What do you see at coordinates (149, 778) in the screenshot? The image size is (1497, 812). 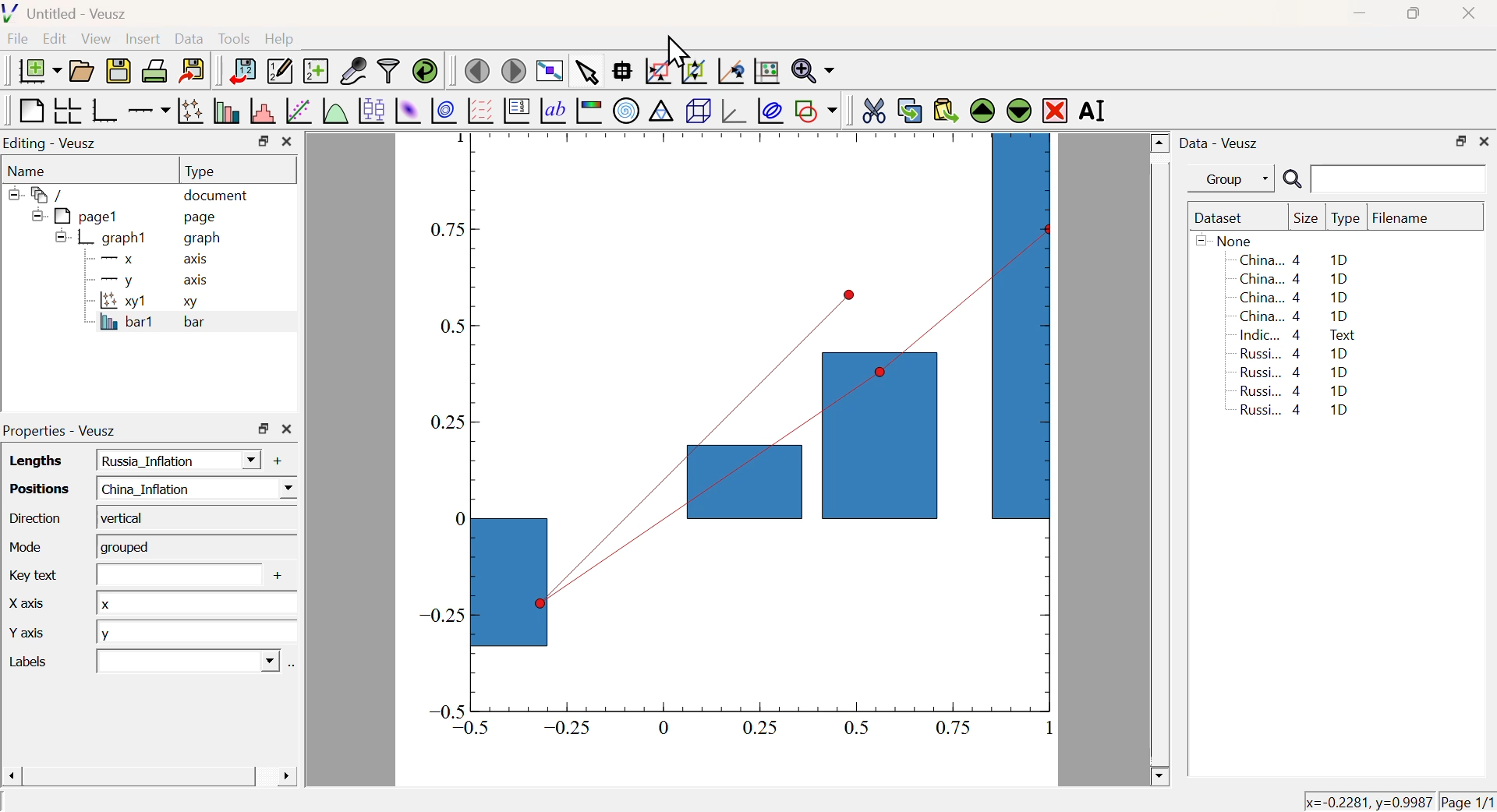 I see `Scroll` at bounding box center [149, 778].